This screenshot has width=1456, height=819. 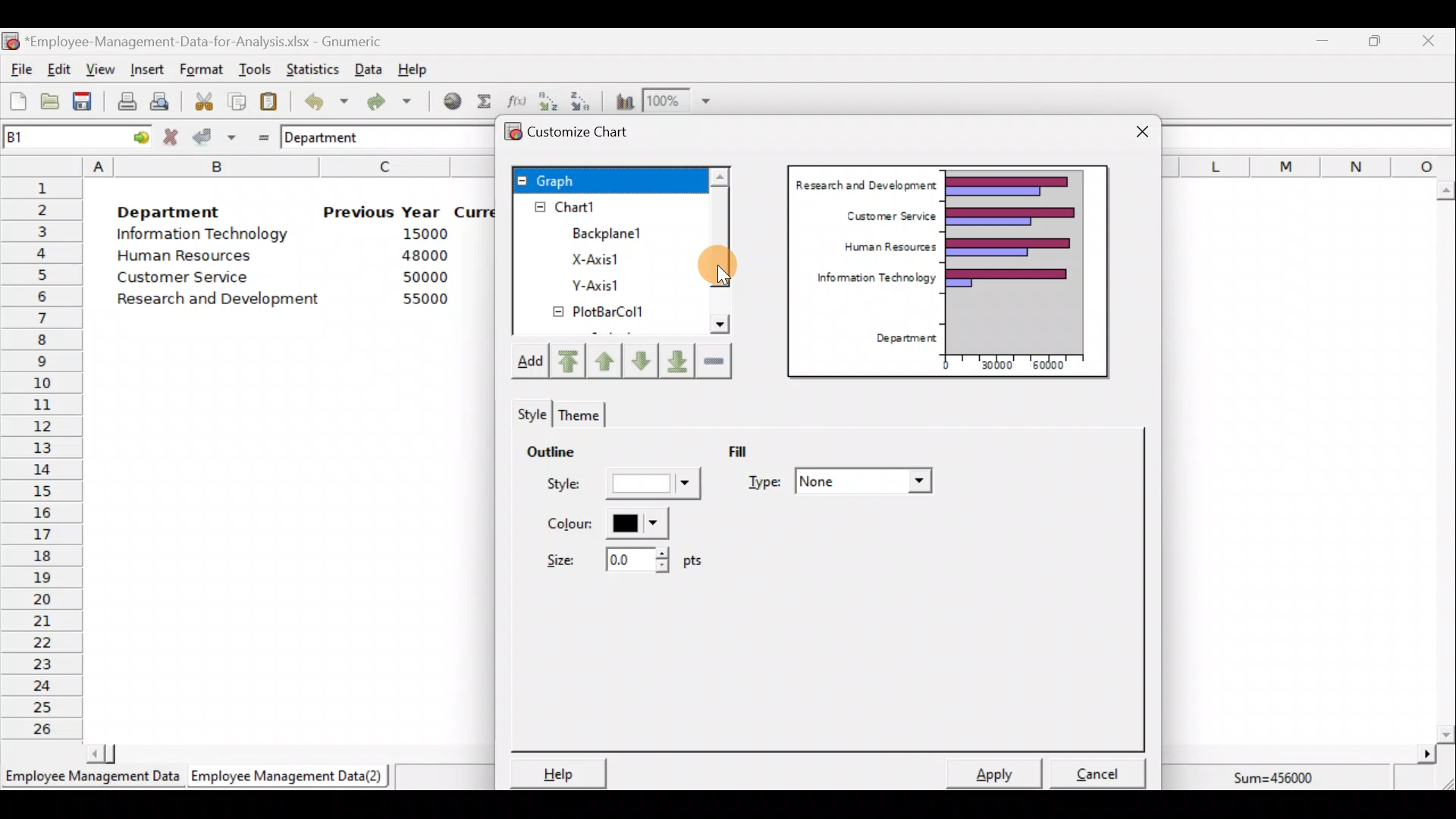 What do you see at coordinates (18, 101) in the screenshot?
I see `Create a new workbook` at bounding box center [18, 101].